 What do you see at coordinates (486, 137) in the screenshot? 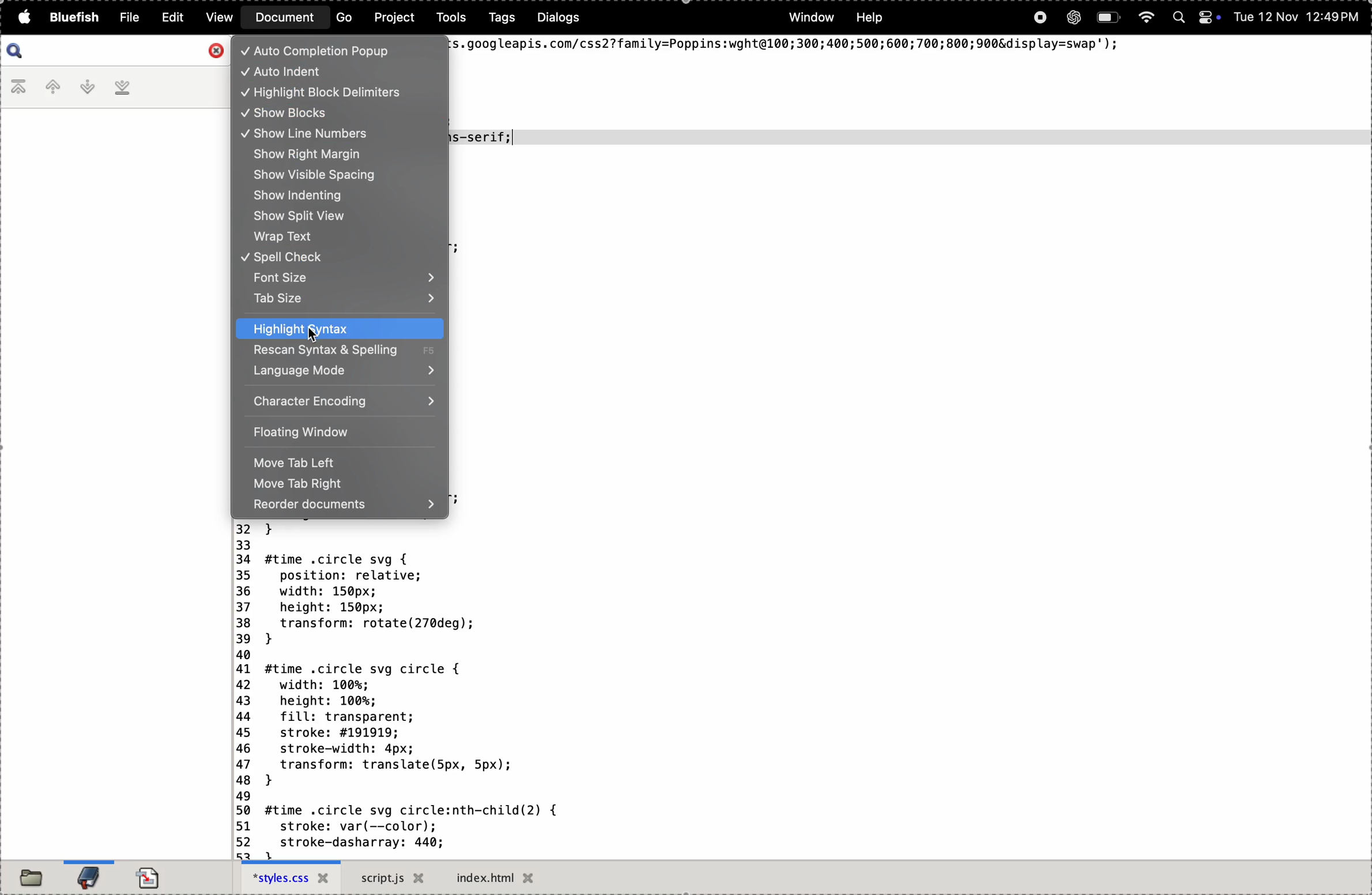
I see `s—serif;|` at bounding box center [486, 137].